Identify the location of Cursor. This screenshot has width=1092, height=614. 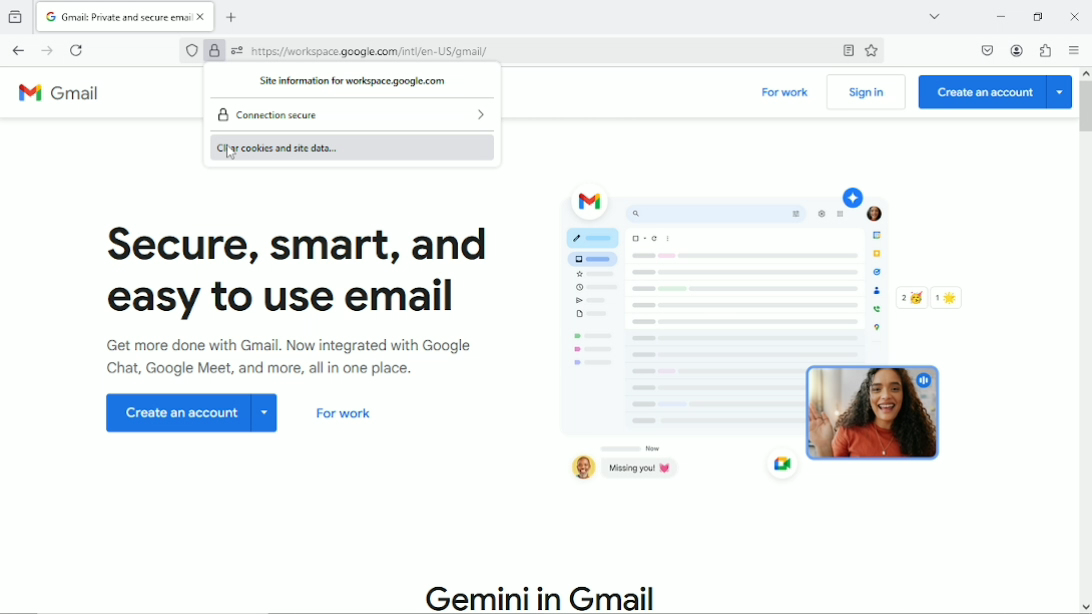
(231, 157).